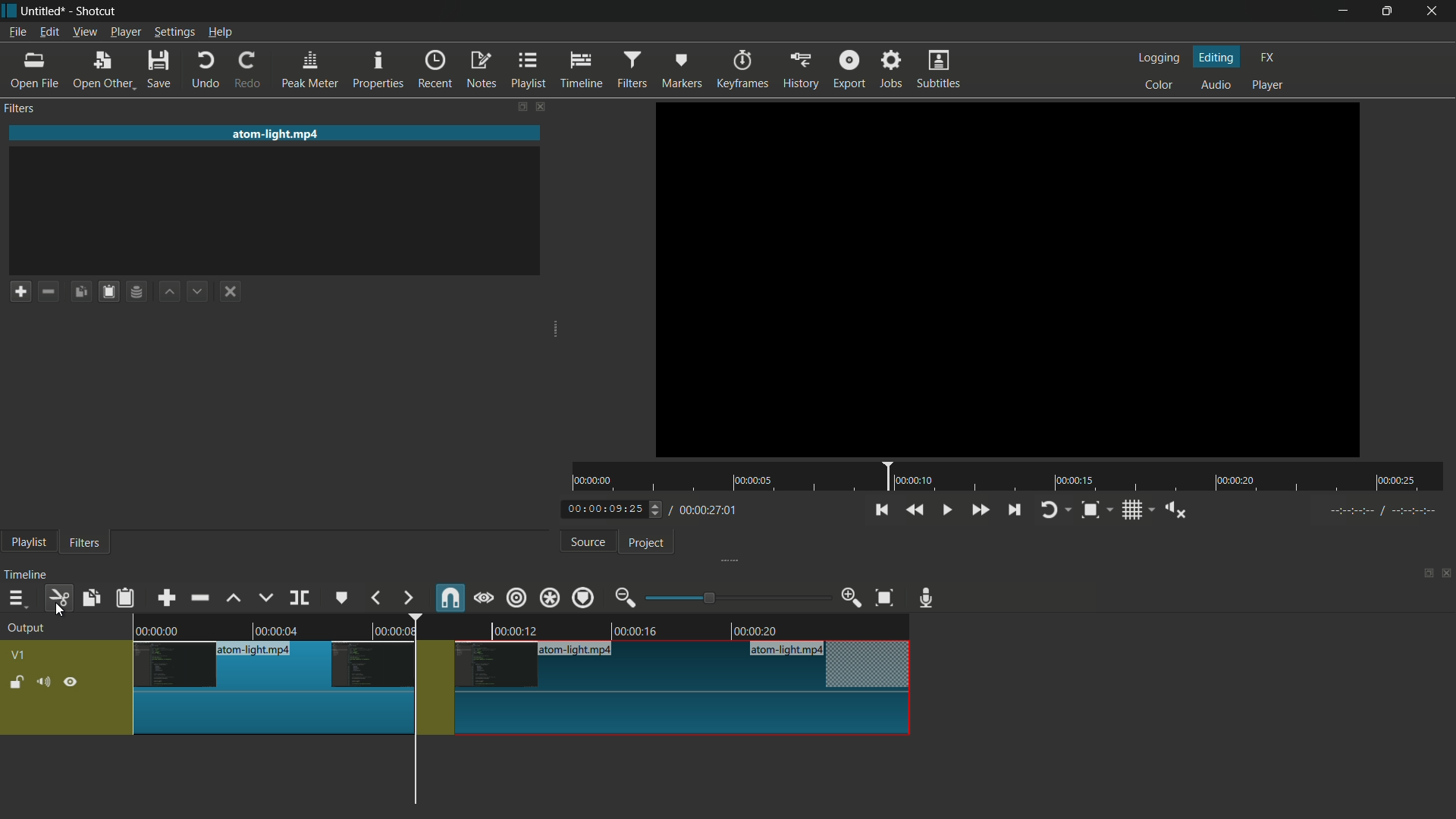  Describe the element at coordinates (1217, 56) in the screenshot. I see `editing` at that location.